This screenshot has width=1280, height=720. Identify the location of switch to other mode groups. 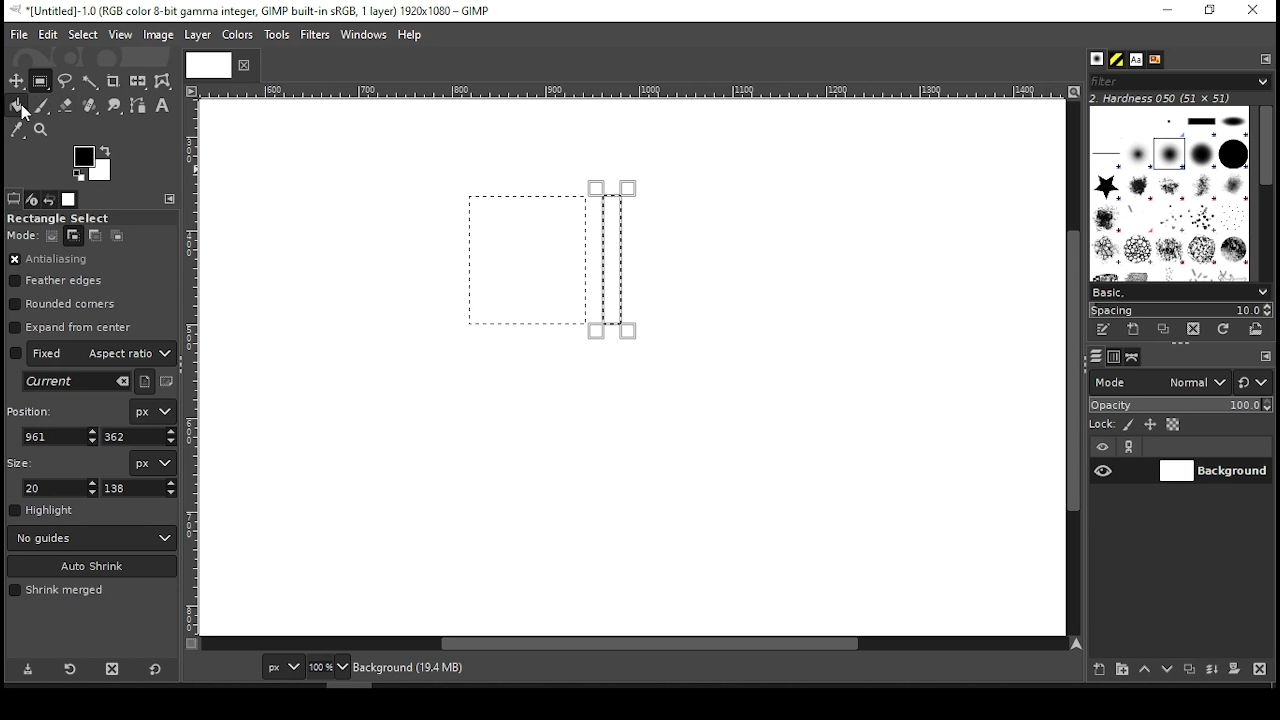
(1252, 384).